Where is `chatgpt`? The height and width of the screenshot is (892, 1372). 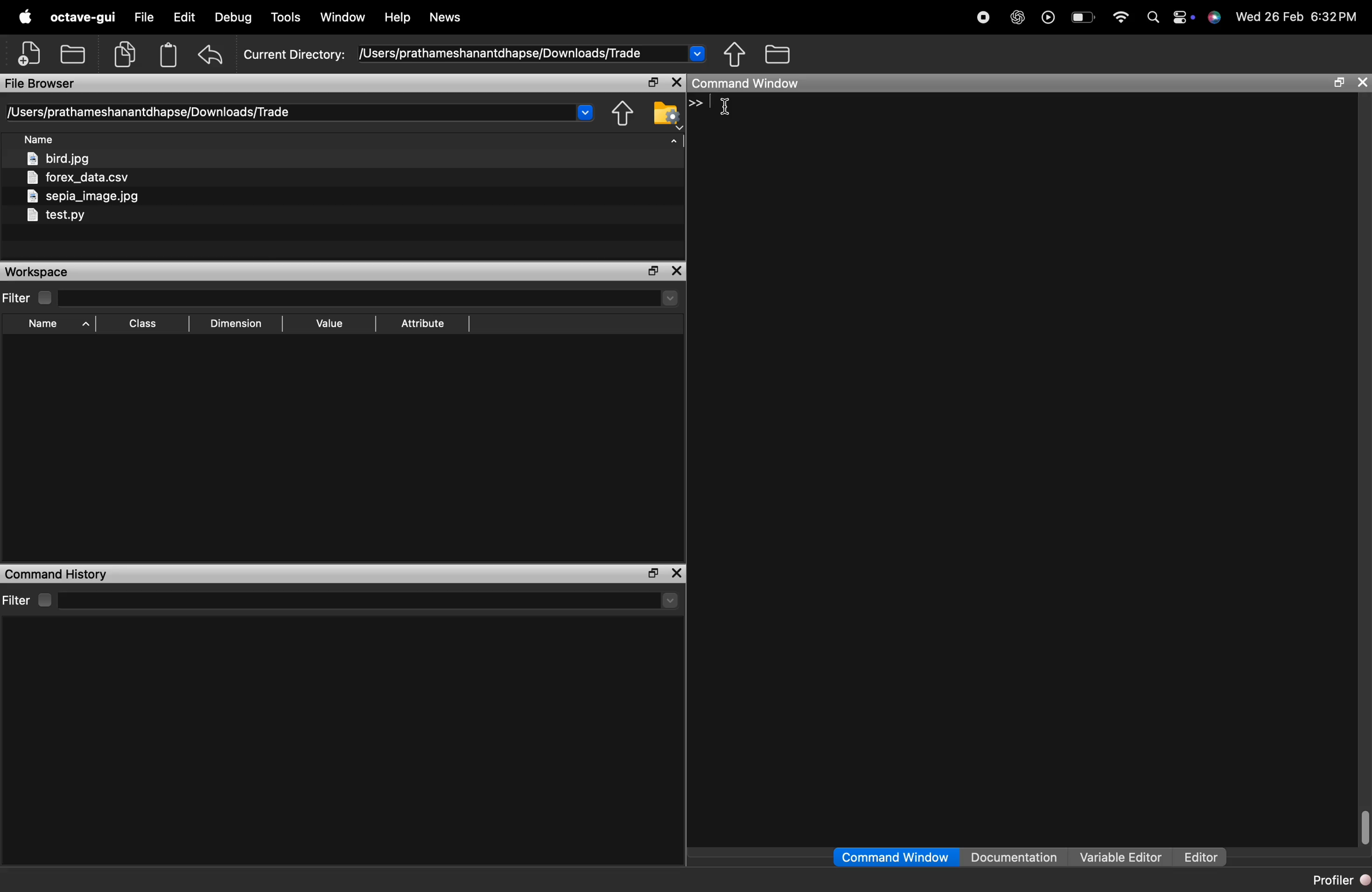 chatgpt is located at coordinates (1017, 17).